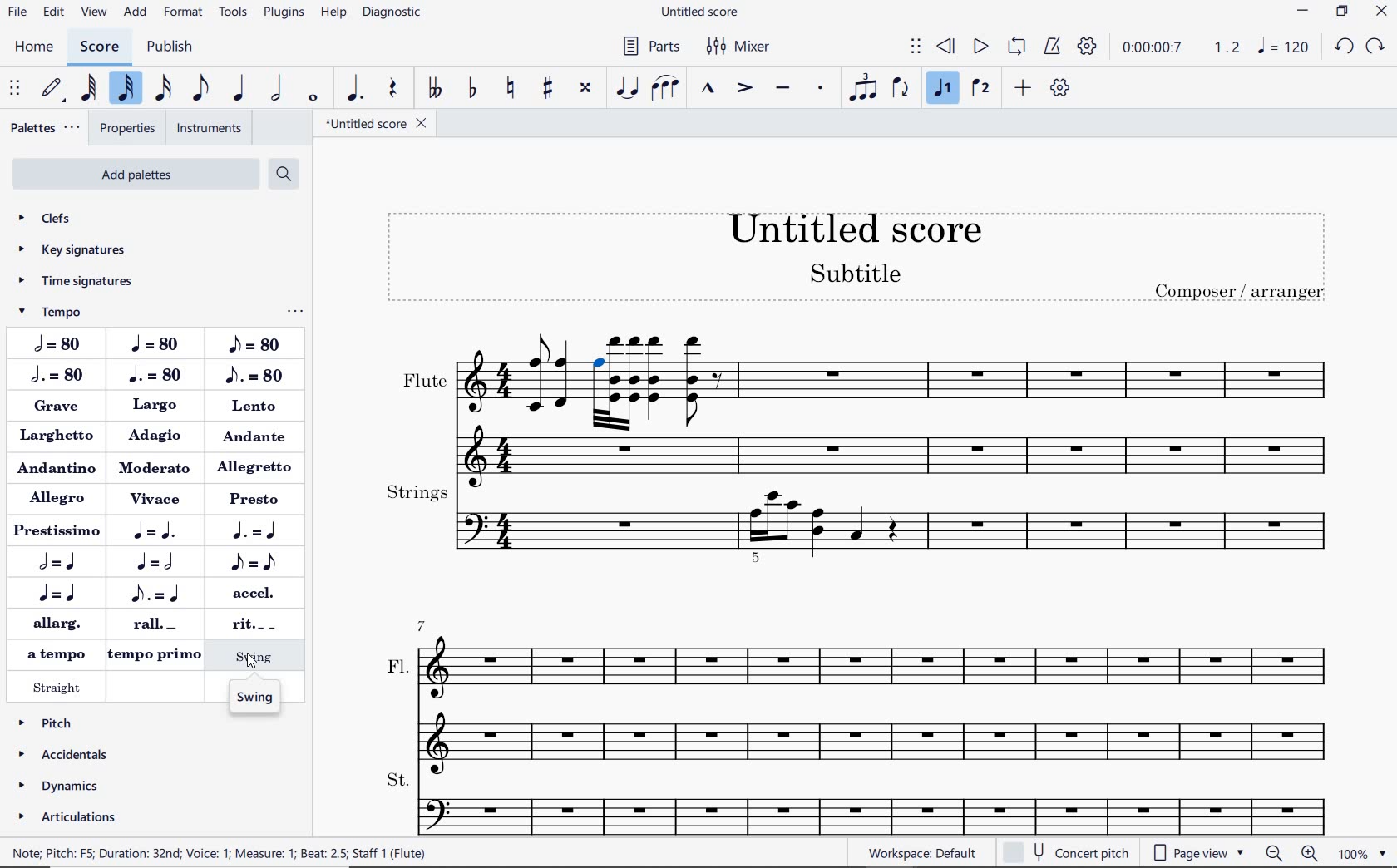 The image size is (1397, 868). What do you see at coordinates (313, 96) in the screenshot?
I see `WHOLE NOTE` at bounding box center [313, 96].